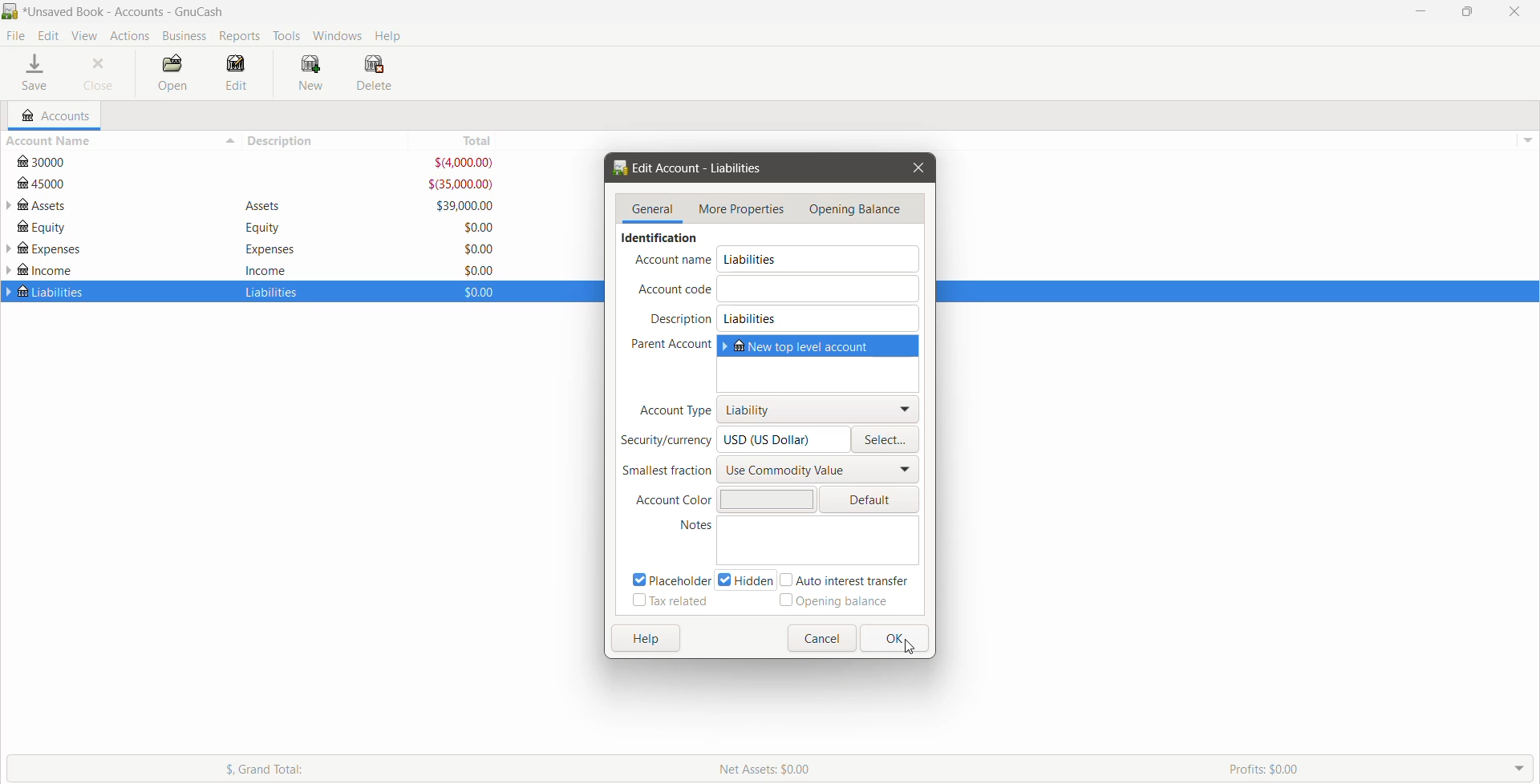 The height and width of the screenshot is (784, 1540). Describe the element at coordinates (1467, 12) in the screenshot. I see `Restore Down` at that location.